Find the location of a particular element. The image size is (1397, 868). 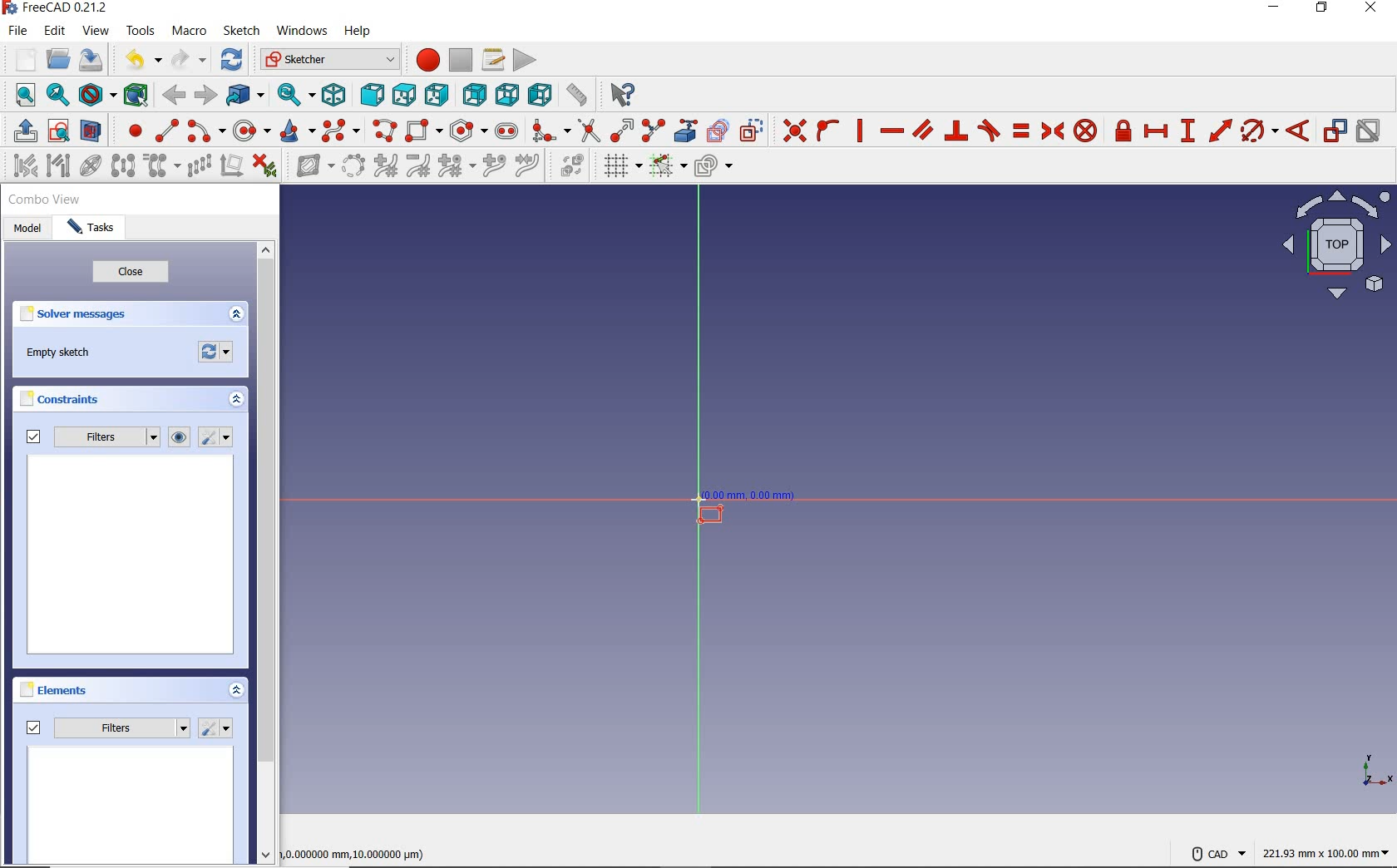

leave sketch is located at coordinates (22, 131).